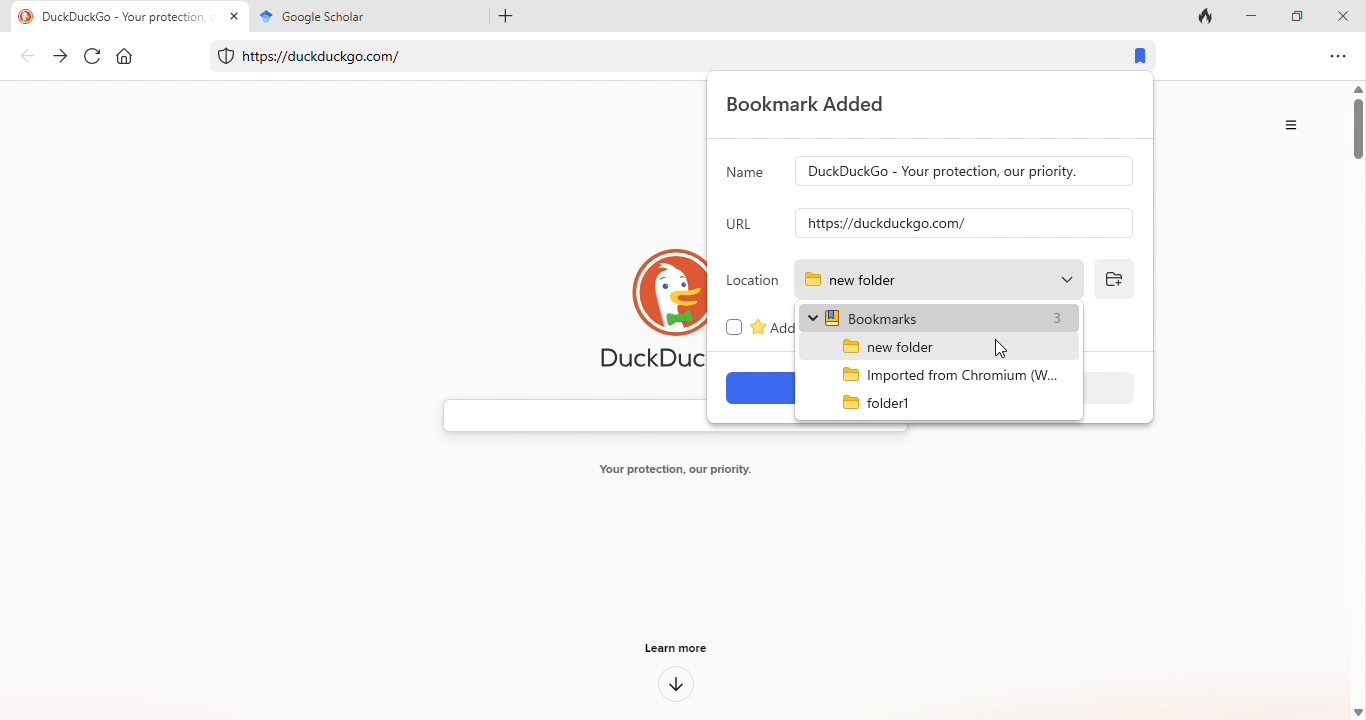 Image resolution: width=1366 pixels, height=720 pixels. Describe the element at coordinates (941, 317) in the screenshot. I see `bookmarks` at that location.